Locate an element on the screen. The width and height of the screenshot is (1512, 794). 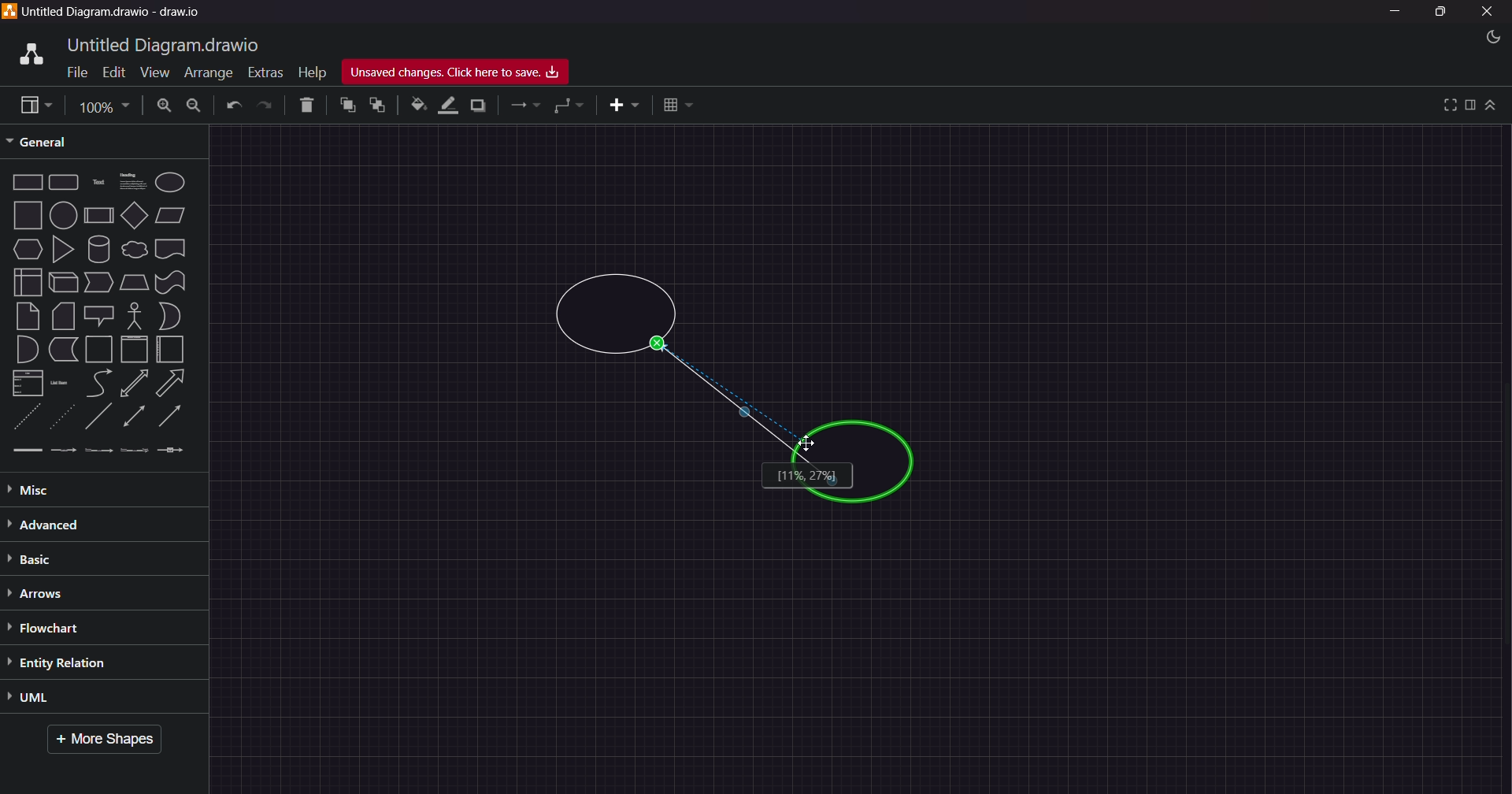
Delete is located at coordinates (303, 106).